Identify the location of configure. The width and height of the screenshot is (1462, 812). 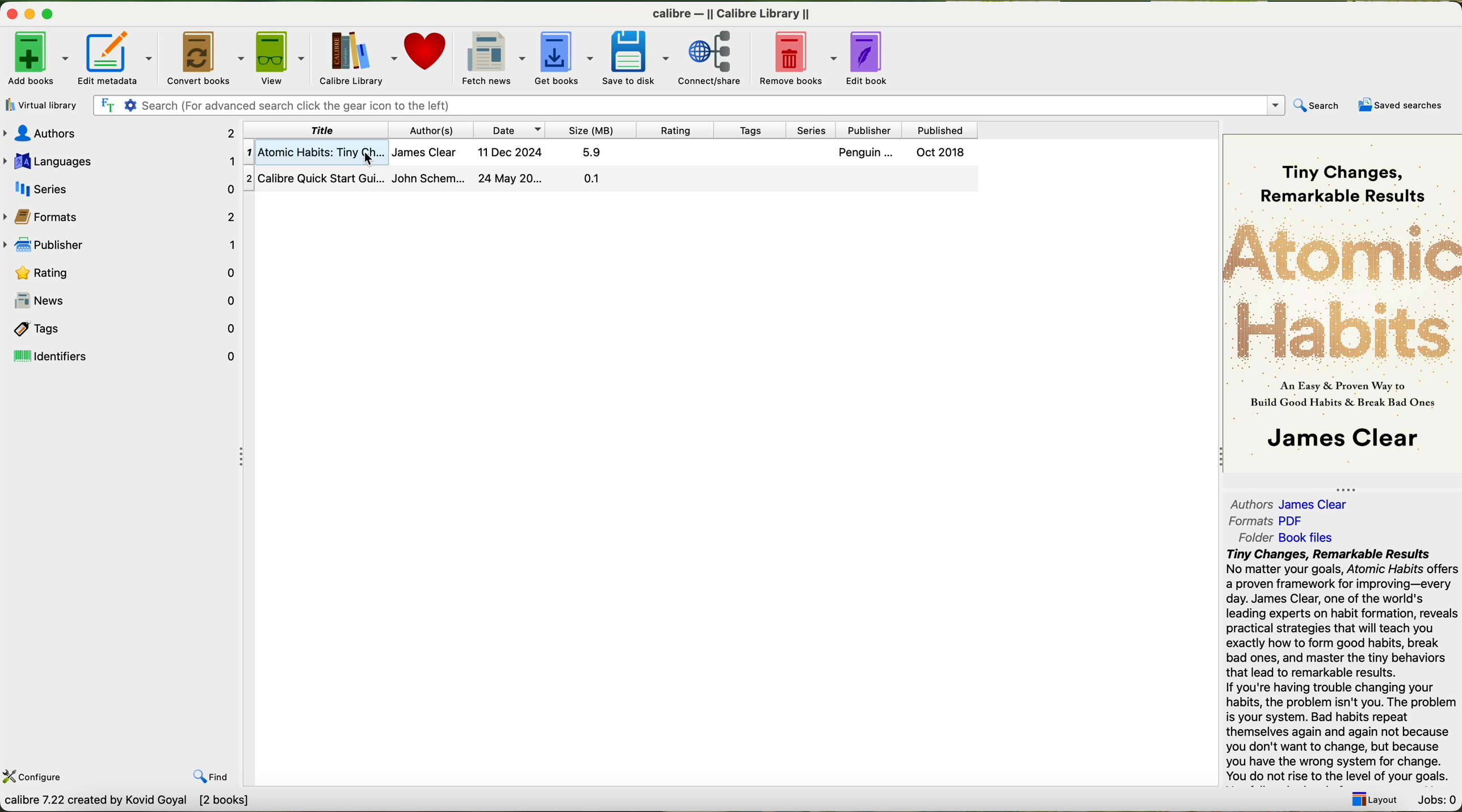
(36, 777).